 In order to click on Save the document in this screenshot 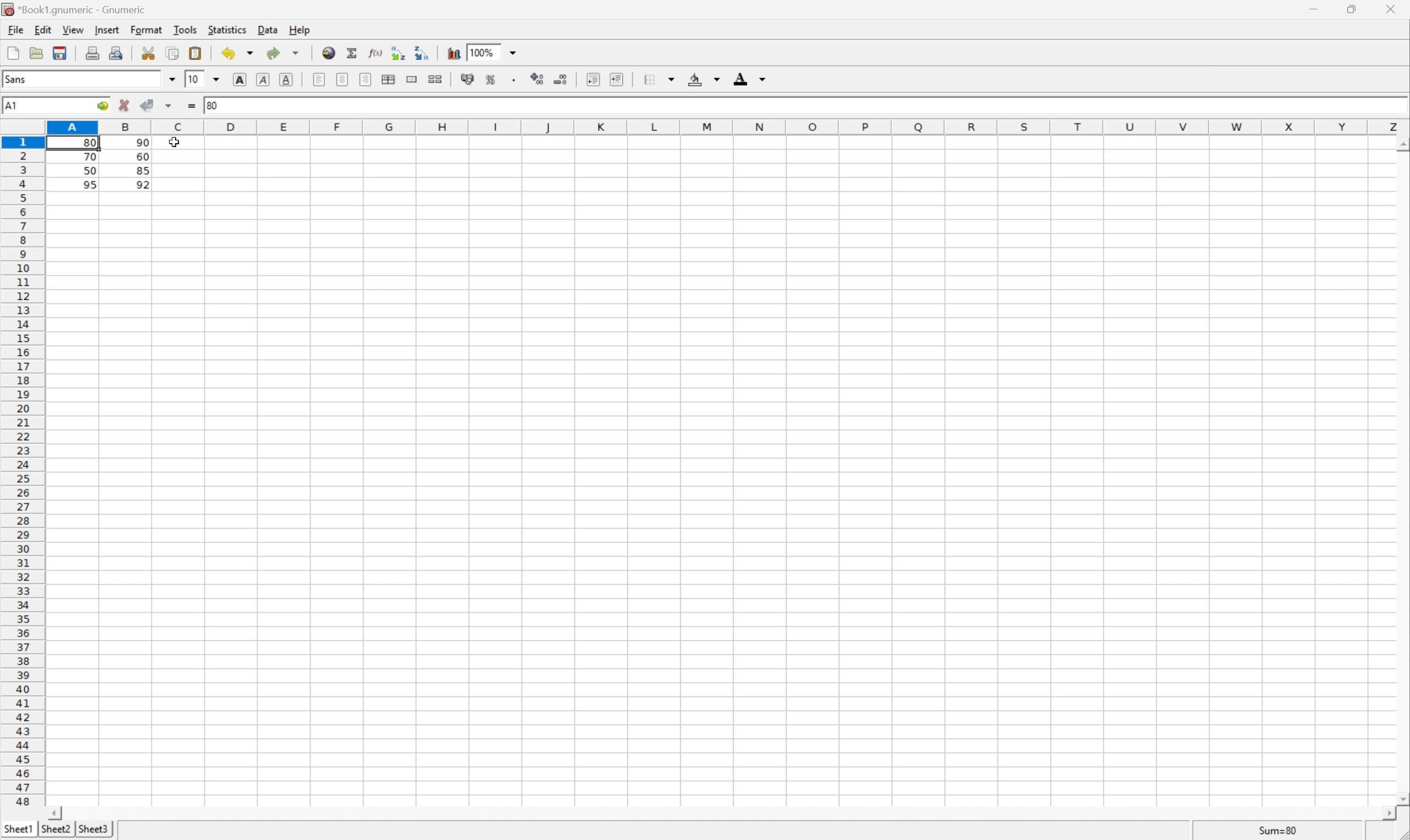, I will do `click(36, 53)`.